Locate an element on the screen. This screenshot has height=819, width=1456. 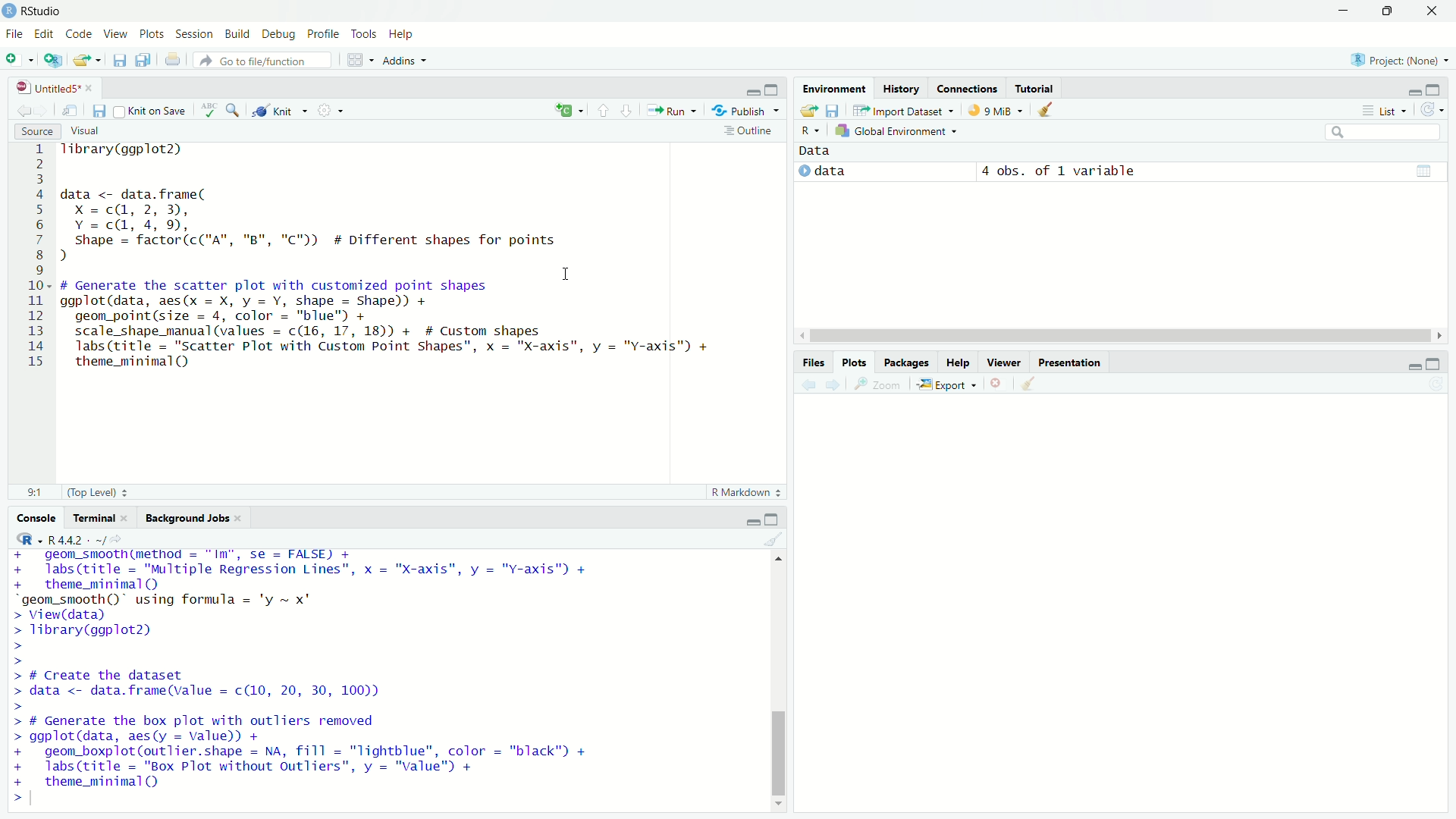
New file is located at coordinates (19, 60).